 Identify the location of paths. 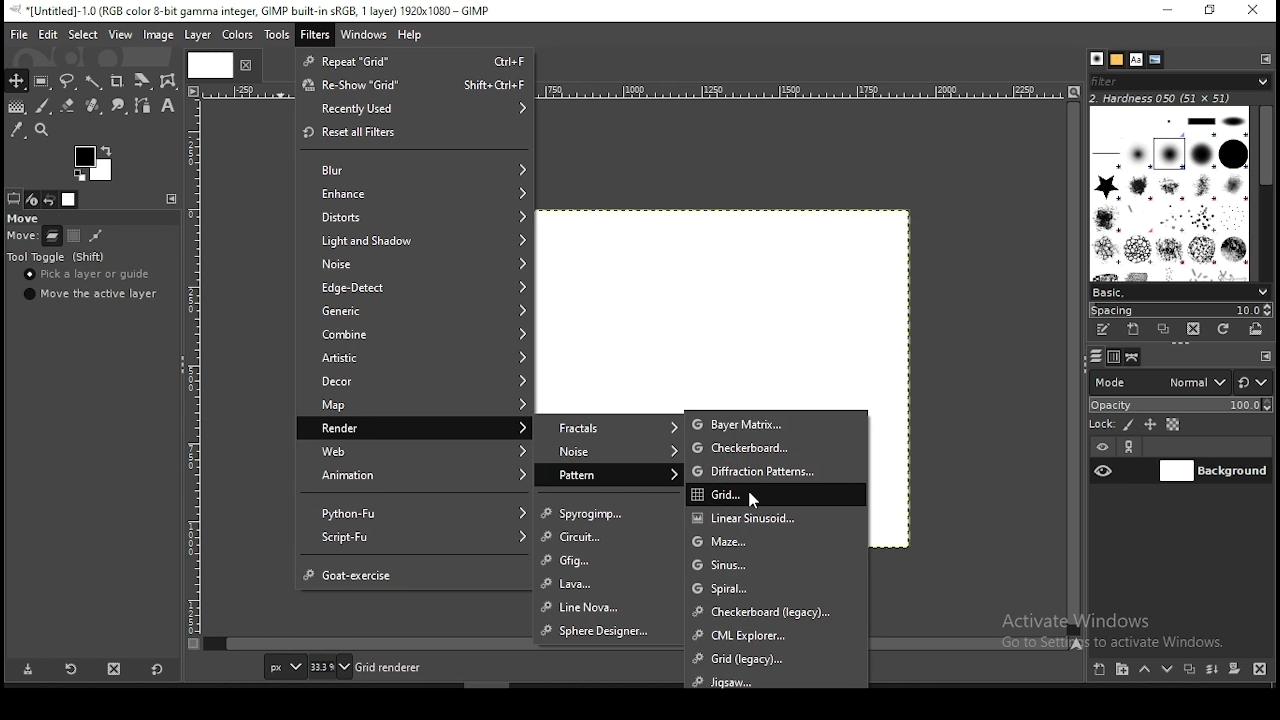
(1136, 358).